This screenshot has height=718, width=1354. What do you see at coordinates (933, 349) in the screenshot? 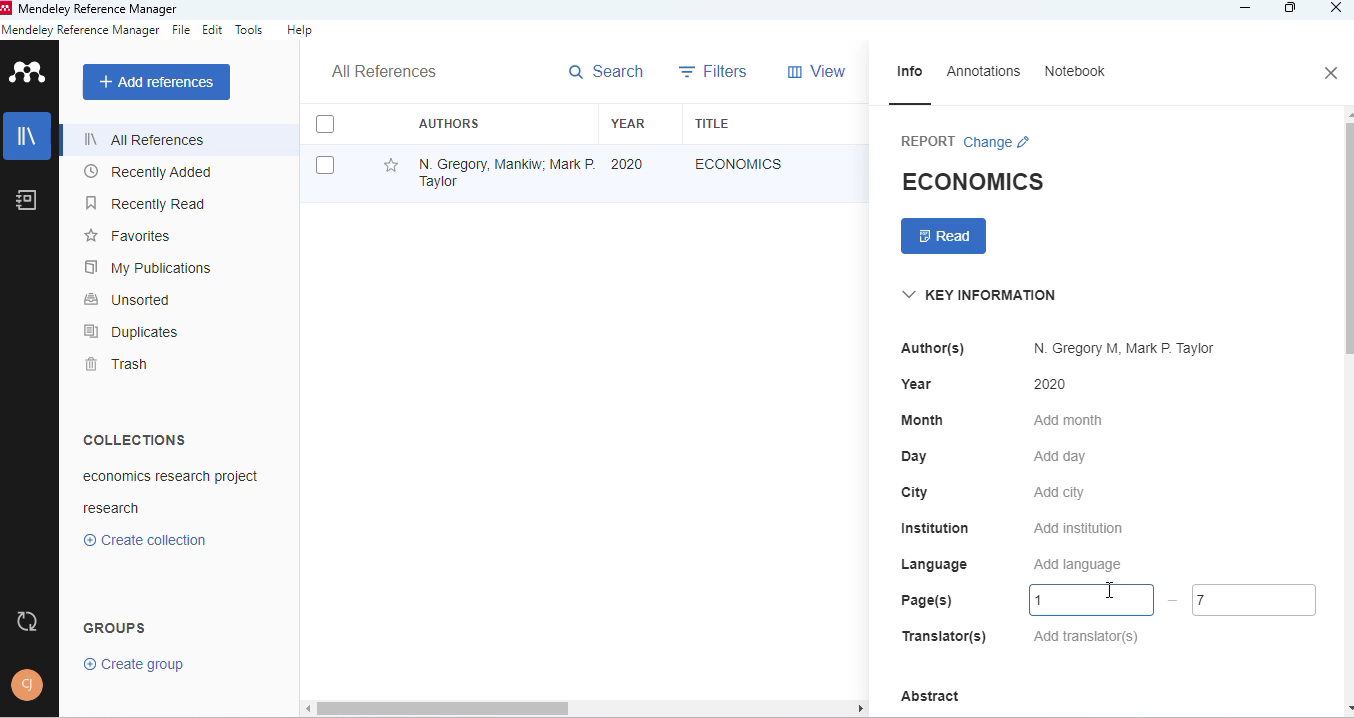
I see `authors` at bounding box center [933, 349].